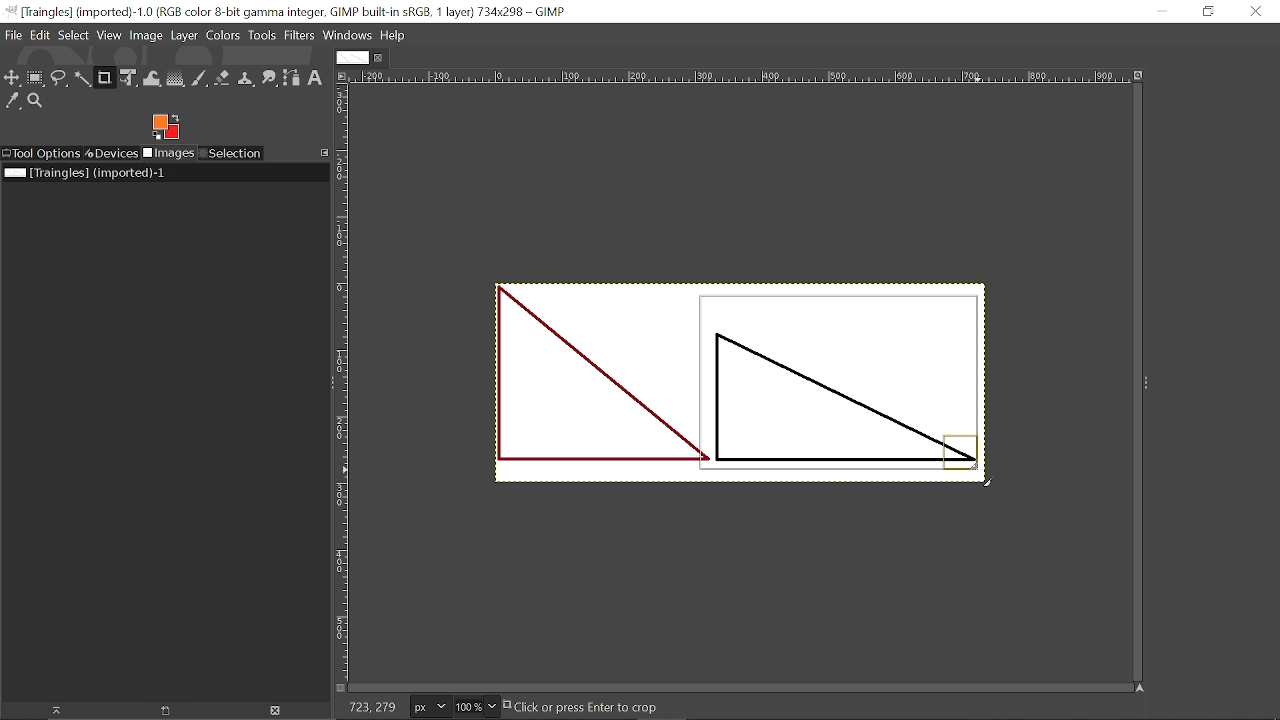  Describe the element at coordinates (1138, 74) in the screenshot. I see `Zoom image when window size changes` at that location.